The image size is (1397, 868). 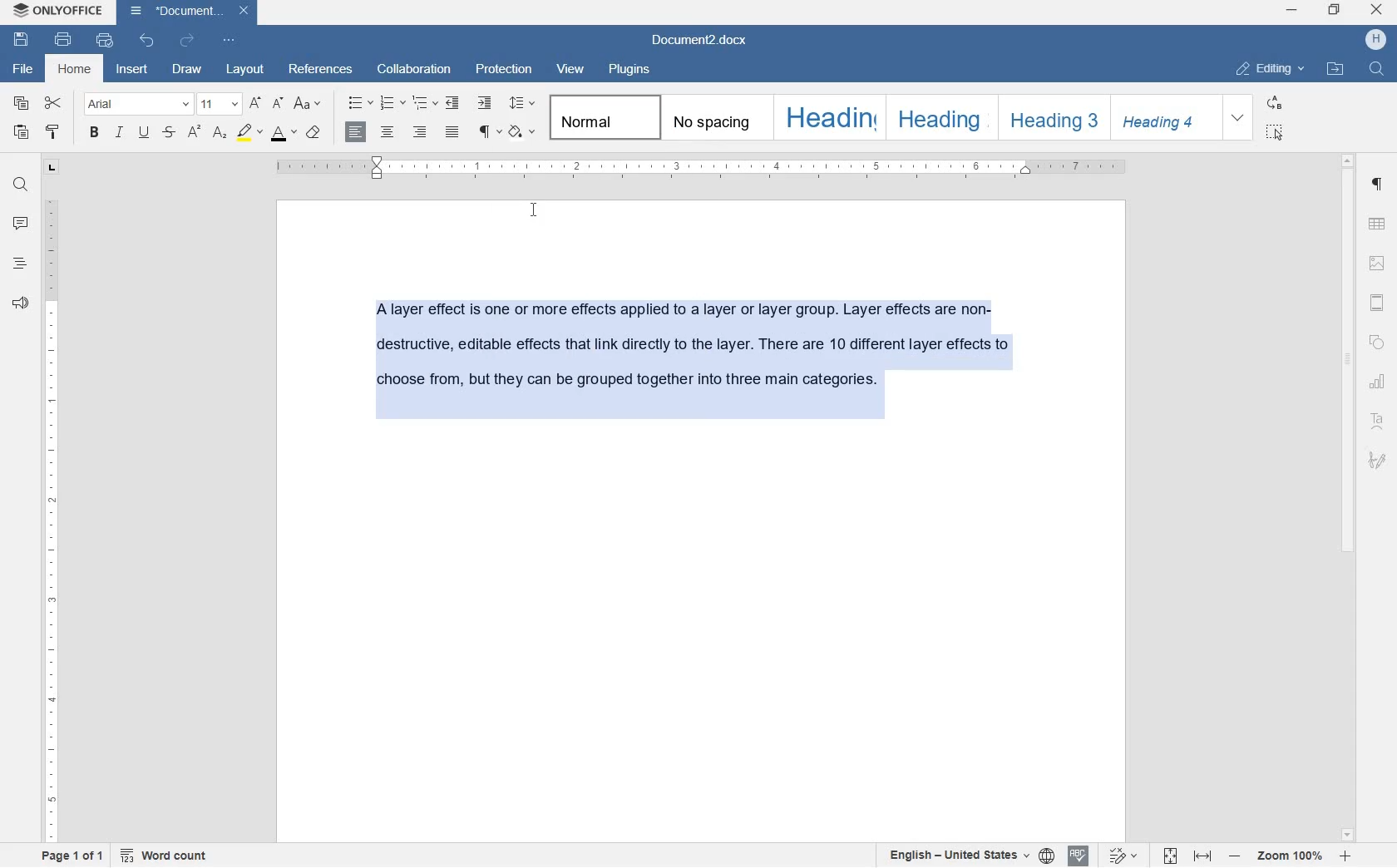 I want to click on strikethrough, so click(x=170, y=133).